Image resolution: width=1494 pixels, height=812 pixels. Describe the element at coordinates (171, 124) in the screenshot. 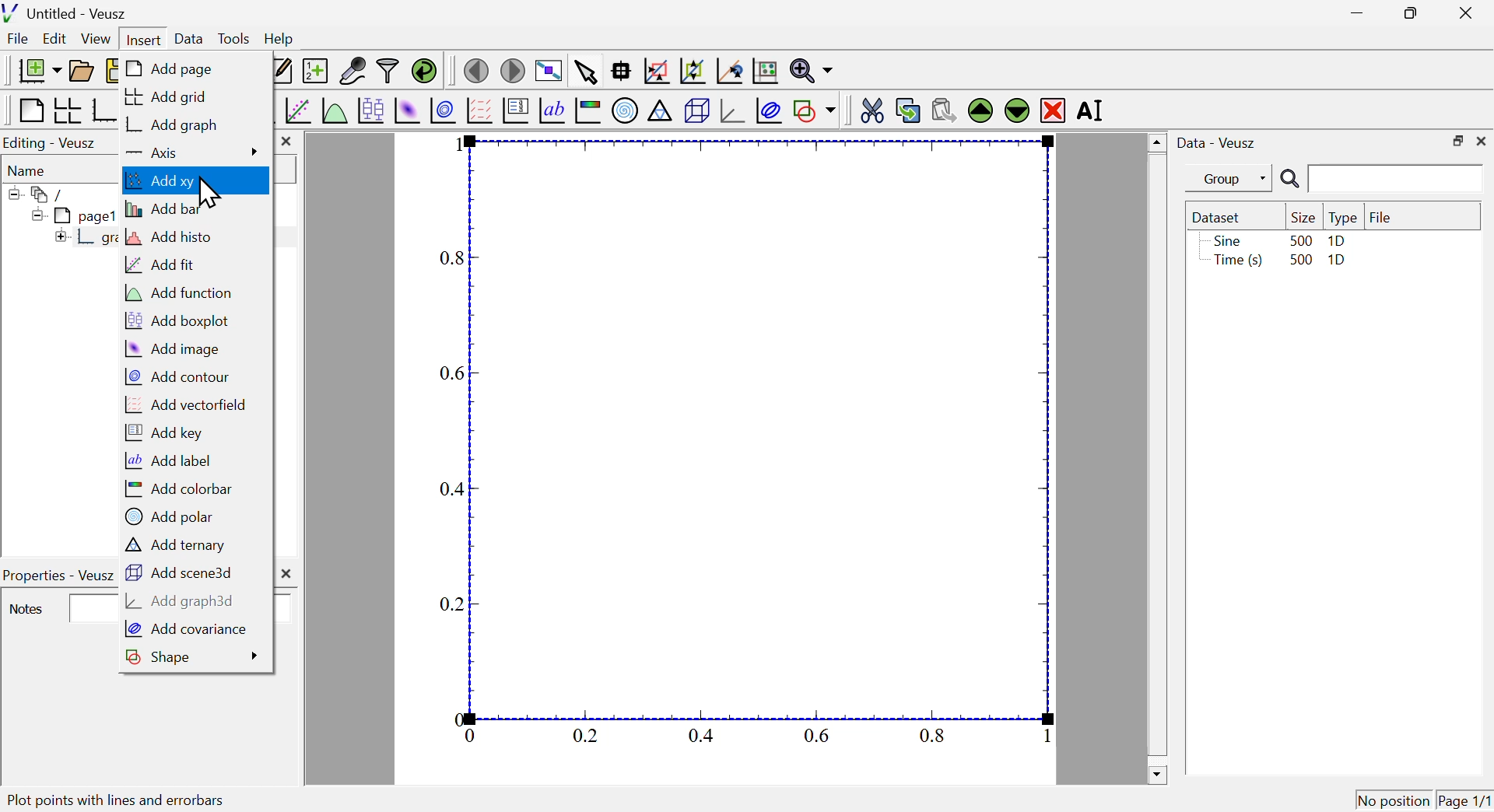

I see `add graph` at that location.